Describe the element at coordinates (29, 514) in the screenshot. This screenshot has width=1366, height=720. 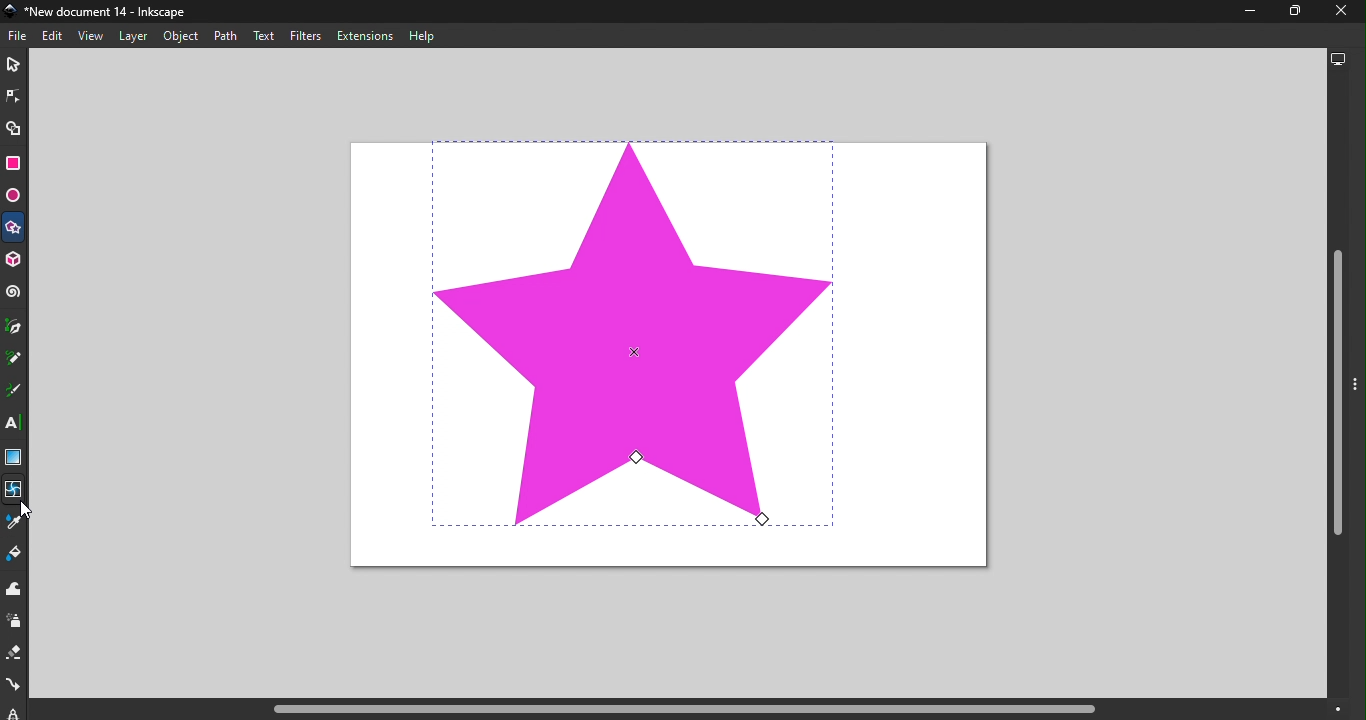
I see `Cursor` at that location.